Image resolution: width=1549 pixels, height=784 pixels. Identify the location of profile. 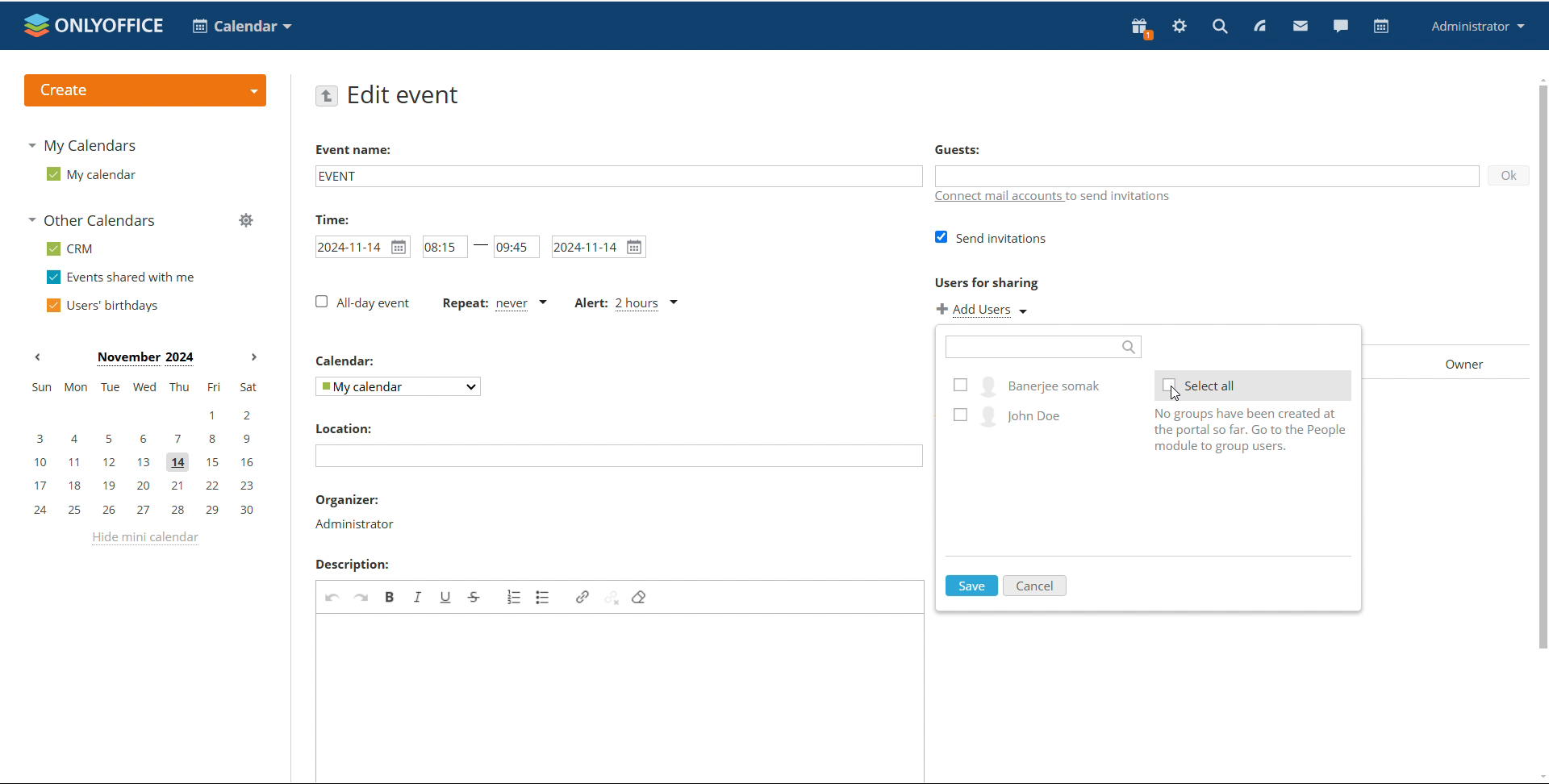
(1475, 27).